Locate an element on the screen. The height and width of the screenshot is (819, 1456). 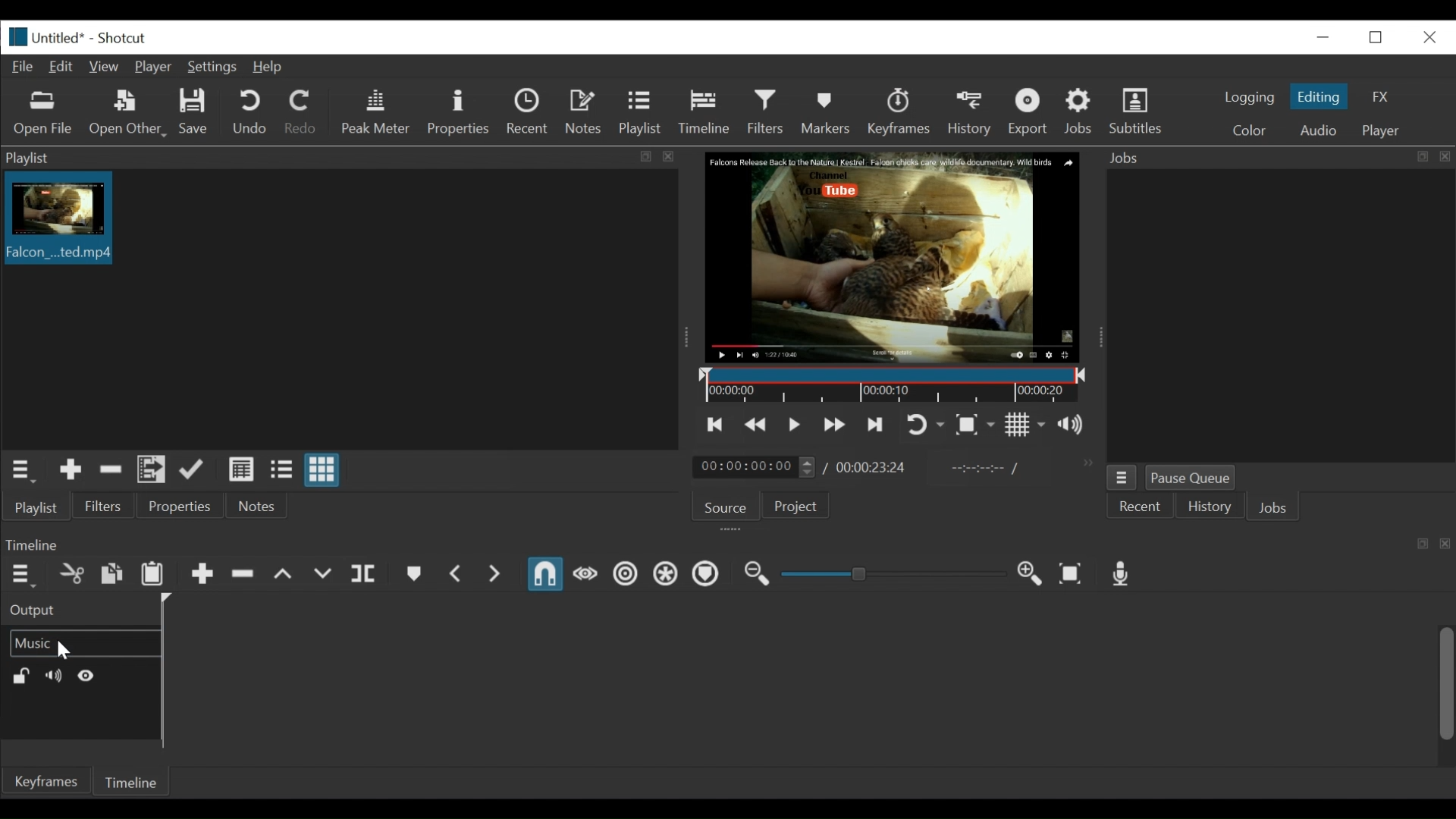
Toggle Zoom is located at coordinates (924, 424).